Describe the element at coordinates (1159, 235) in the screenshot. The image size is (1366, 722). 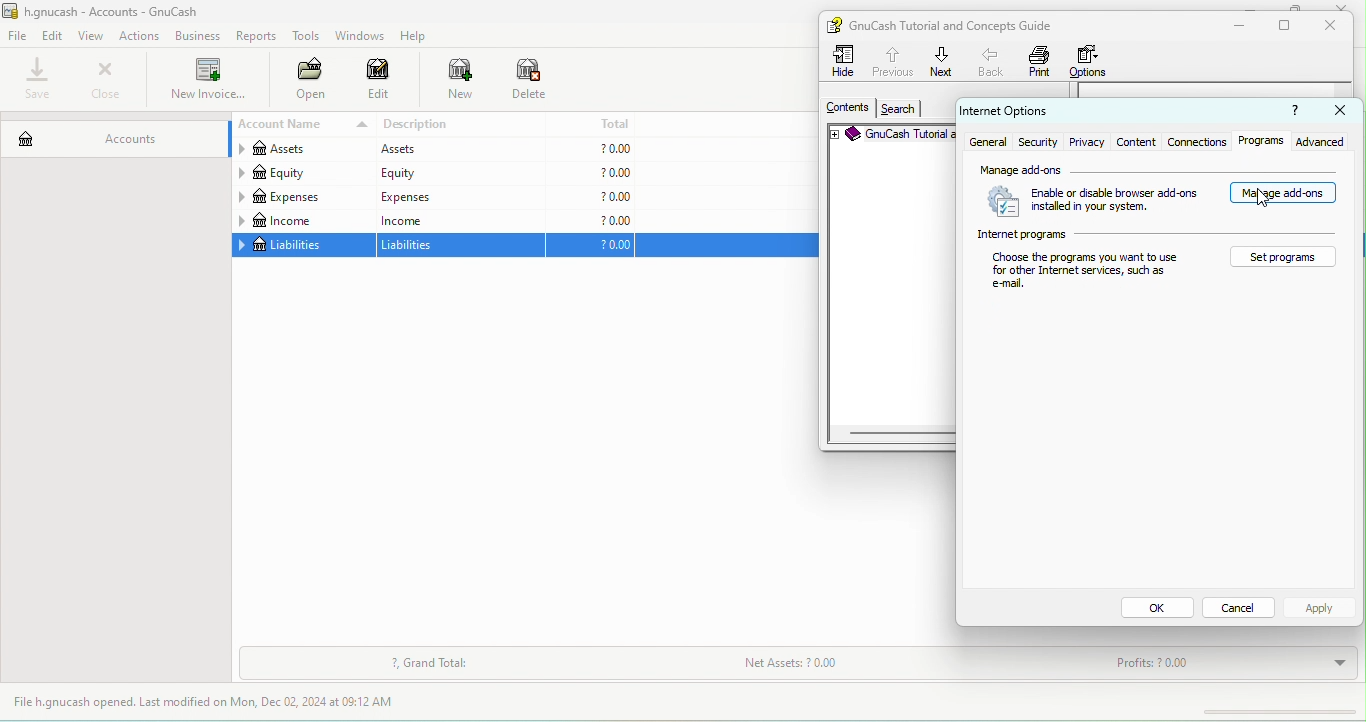
I see `internet peograms` at that location.